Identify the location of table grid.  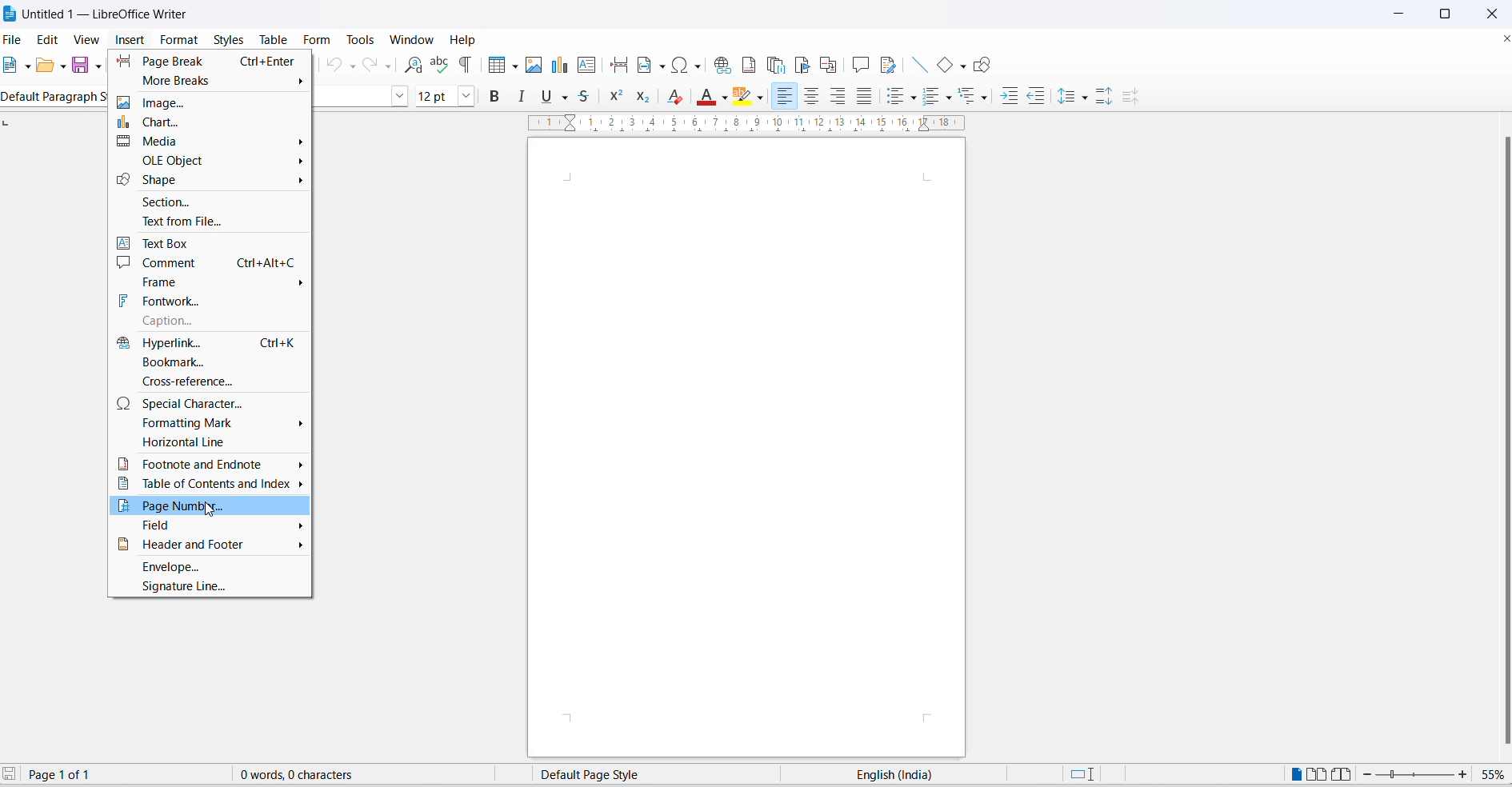
(513, 66).